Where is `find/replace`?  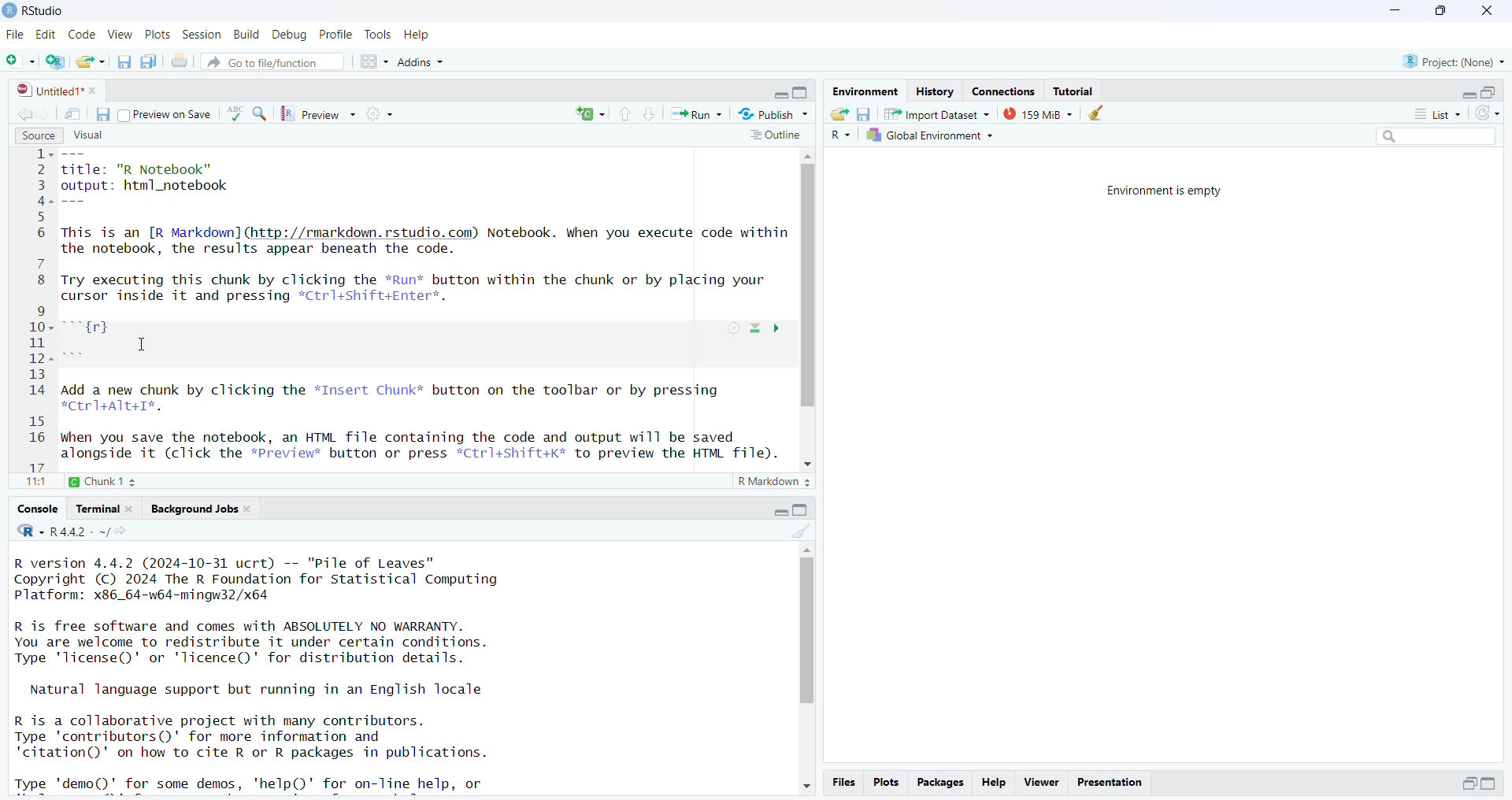
find/replace is located at coordinates (261, 116).